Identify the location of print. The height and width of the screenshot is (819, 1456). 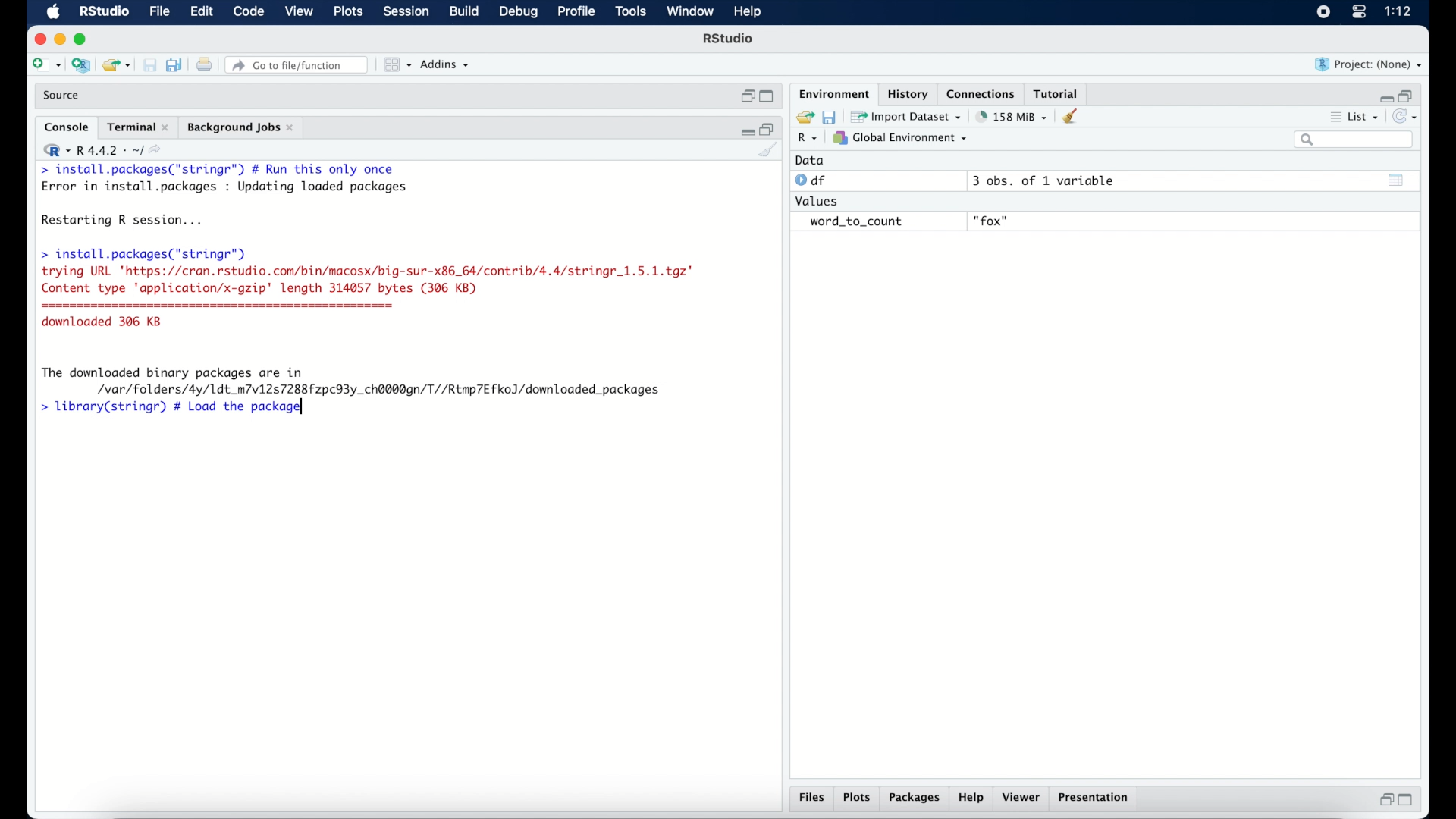
(204, 66).